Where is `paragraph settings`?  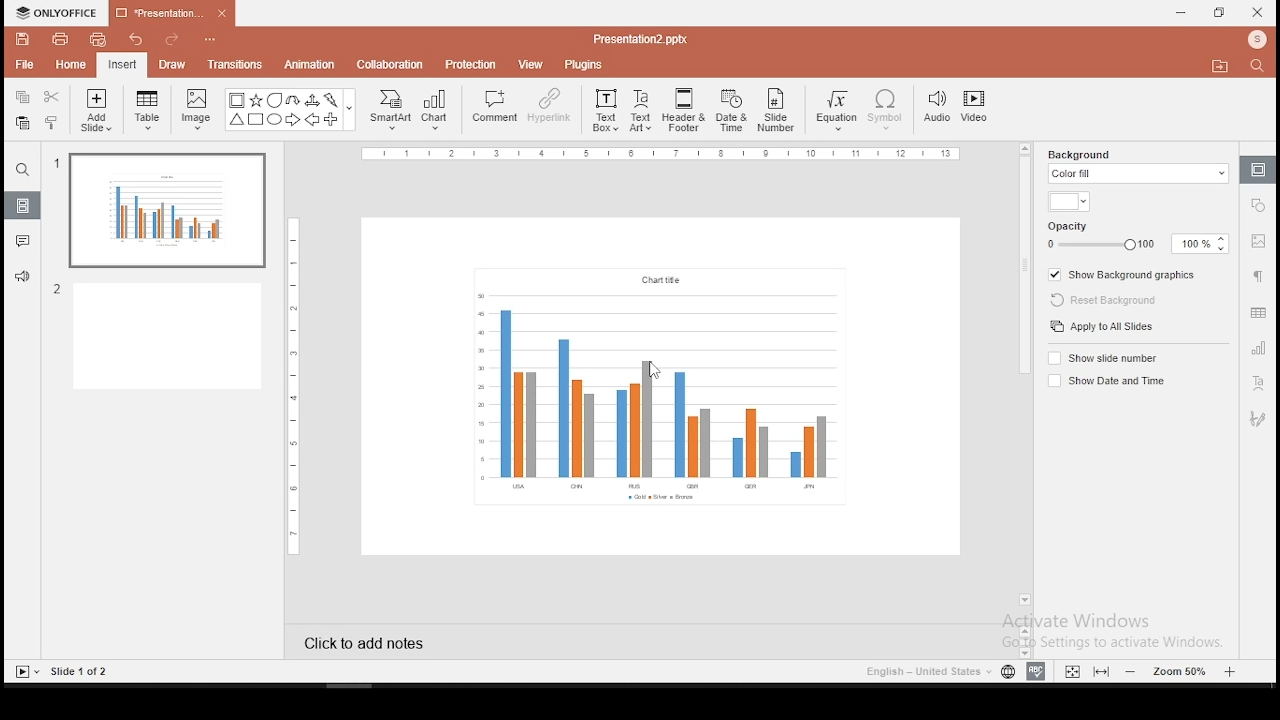
paragraph settings is located at coordinates (1258, 275).